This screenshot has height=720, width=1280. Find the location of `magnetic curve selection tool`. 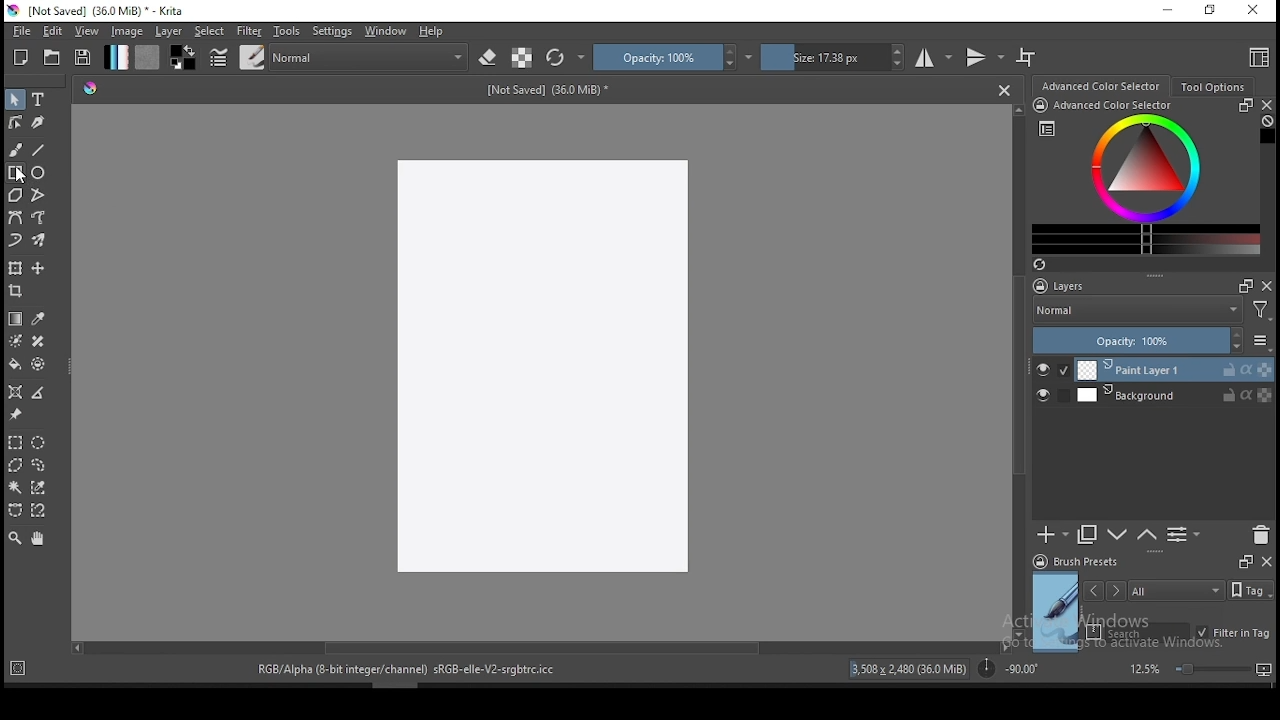

magnetic curve selection tool is located at coordinates (36, 510).